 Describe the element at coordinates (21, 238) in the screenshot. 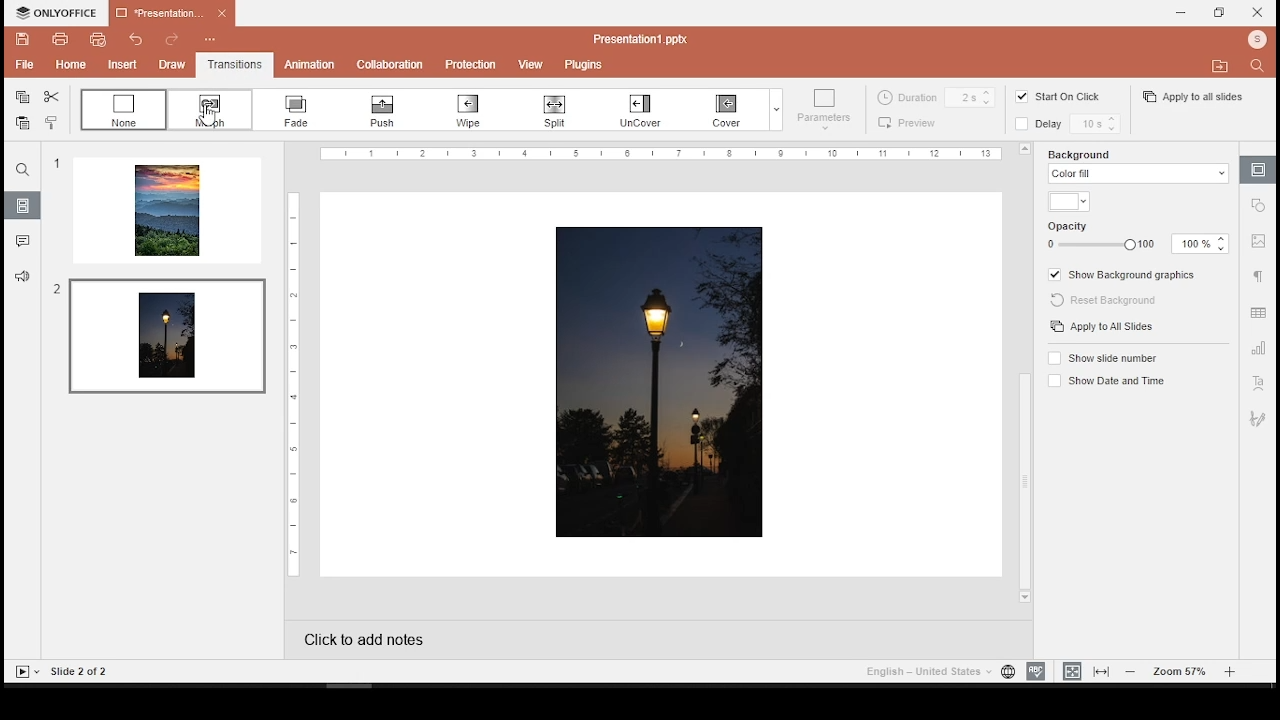

I see `comments` at that location.